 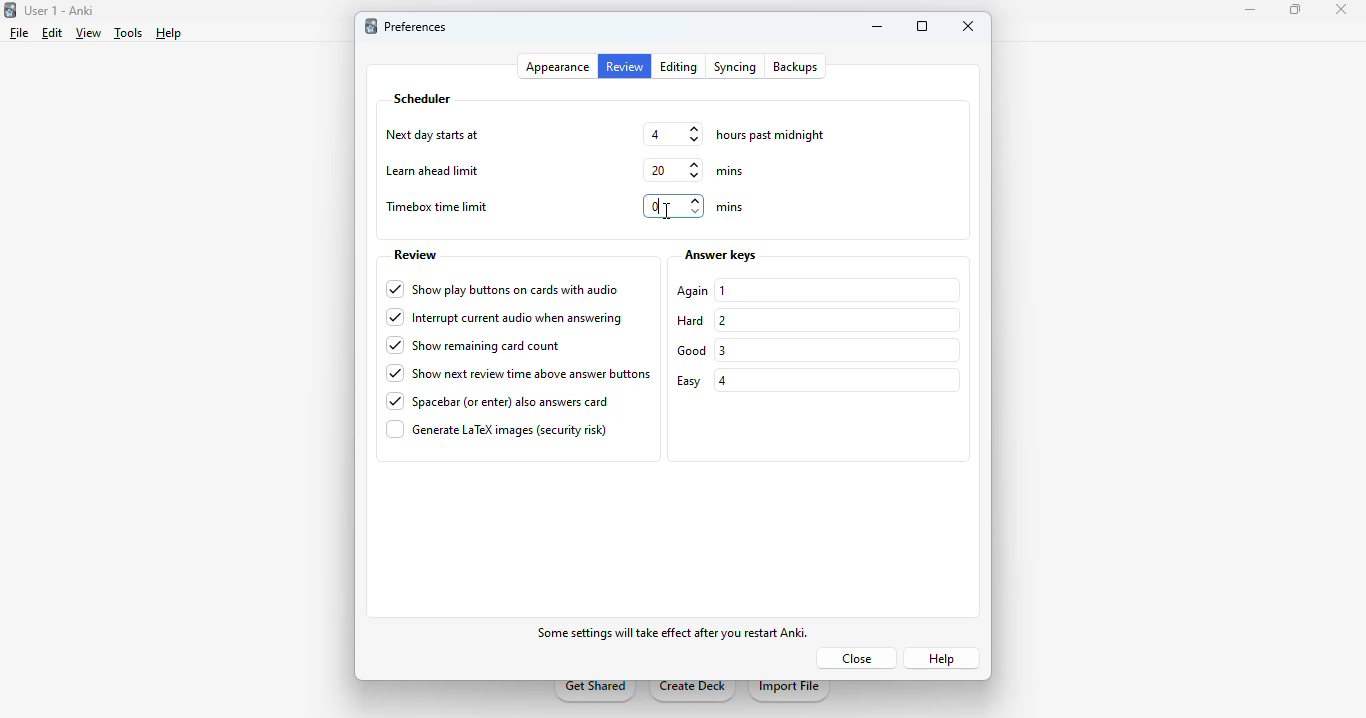 What do you see at coordinates (1341, 12) in the screenshot?
I see `close` at bounding box center [1341, 12].